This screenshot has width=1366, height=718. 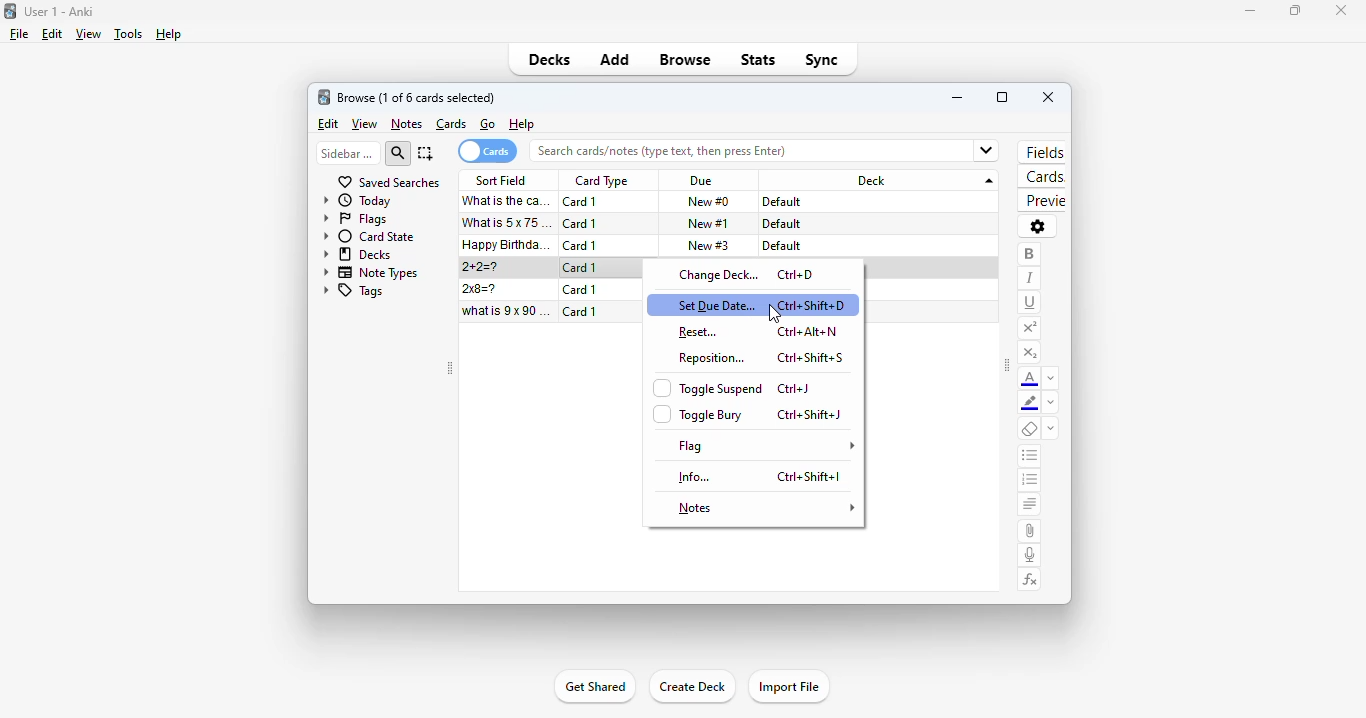 What do you see at coordinates (782, 246) in the screenshot?
I see `default` at bounding box center [782, 246].